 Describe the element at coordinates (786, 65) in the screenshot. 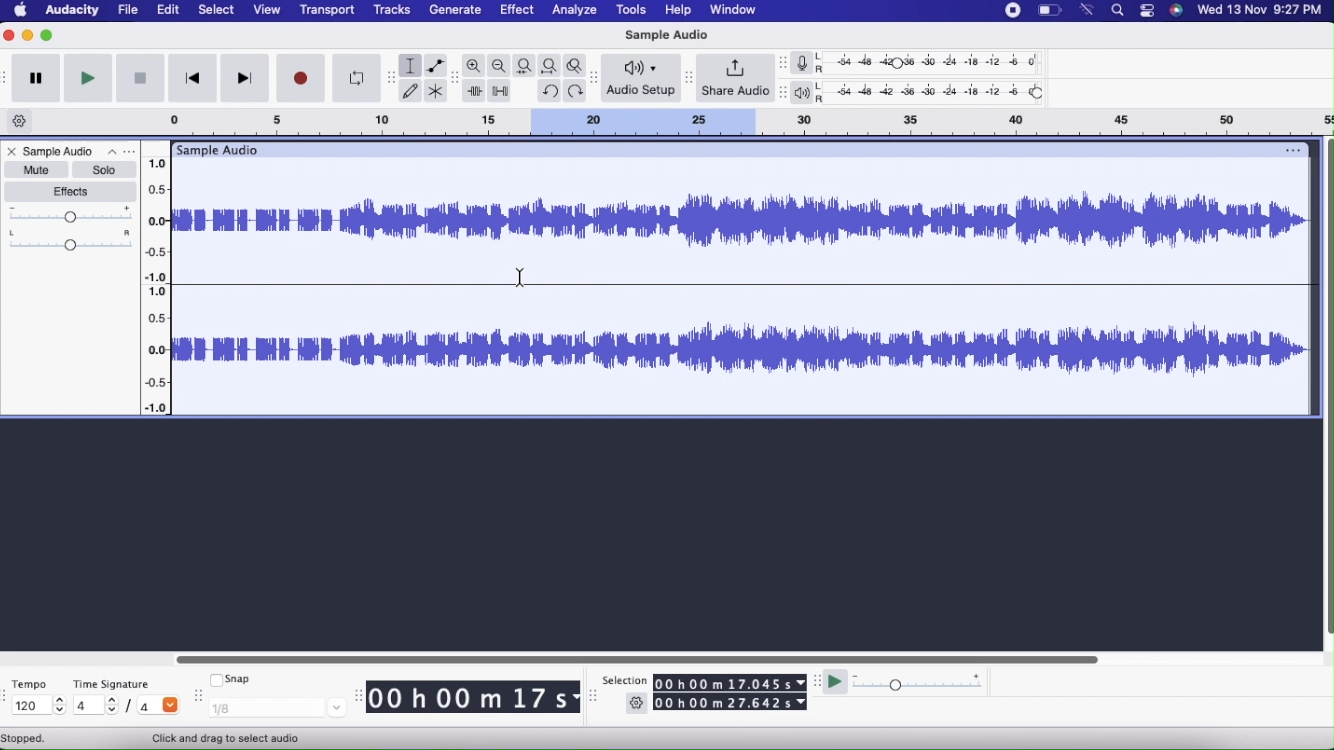

I see `move toolbar` at that location.